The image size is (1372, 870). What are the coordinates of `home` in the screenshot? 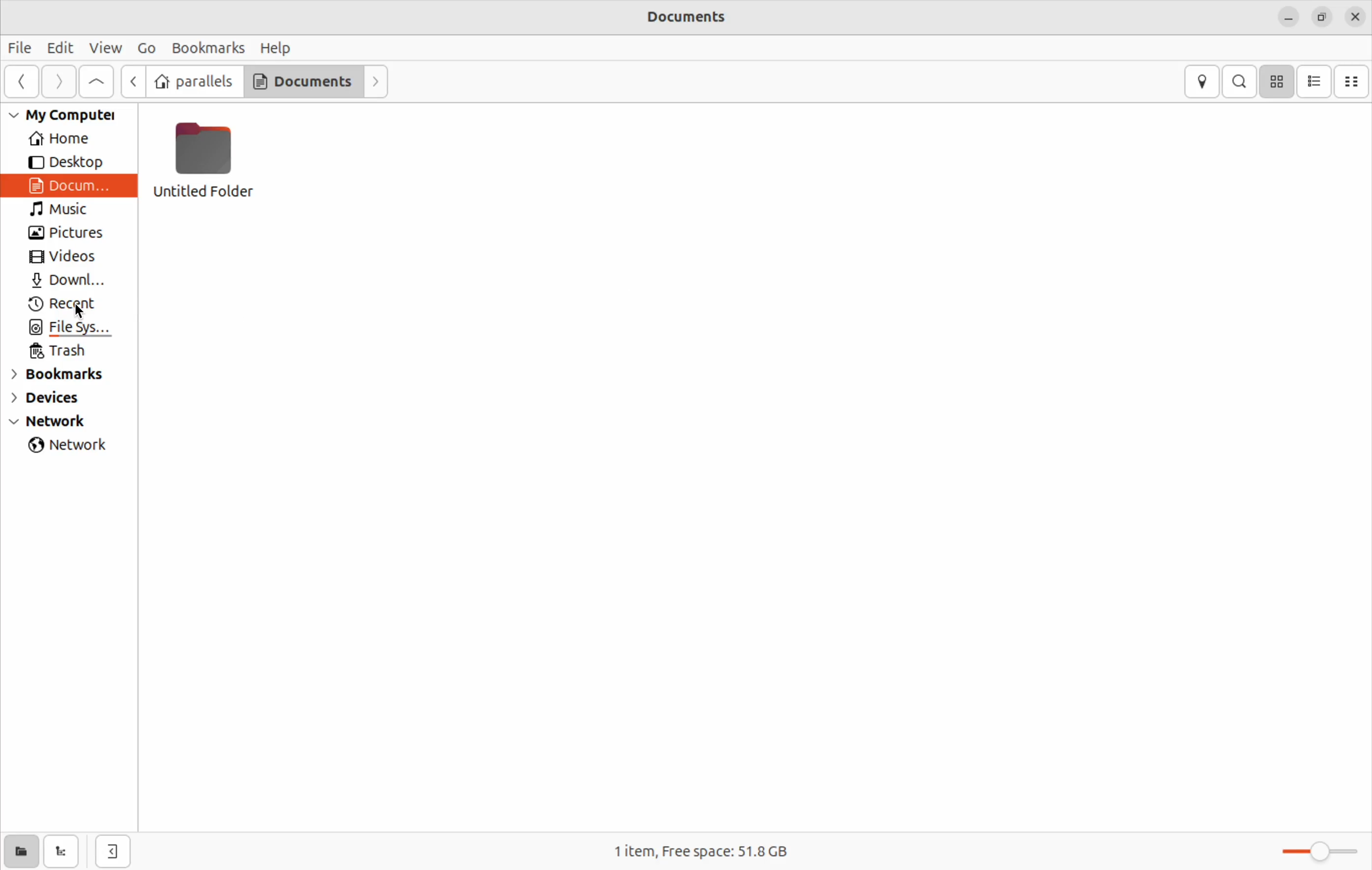 It's located at (68, 137).